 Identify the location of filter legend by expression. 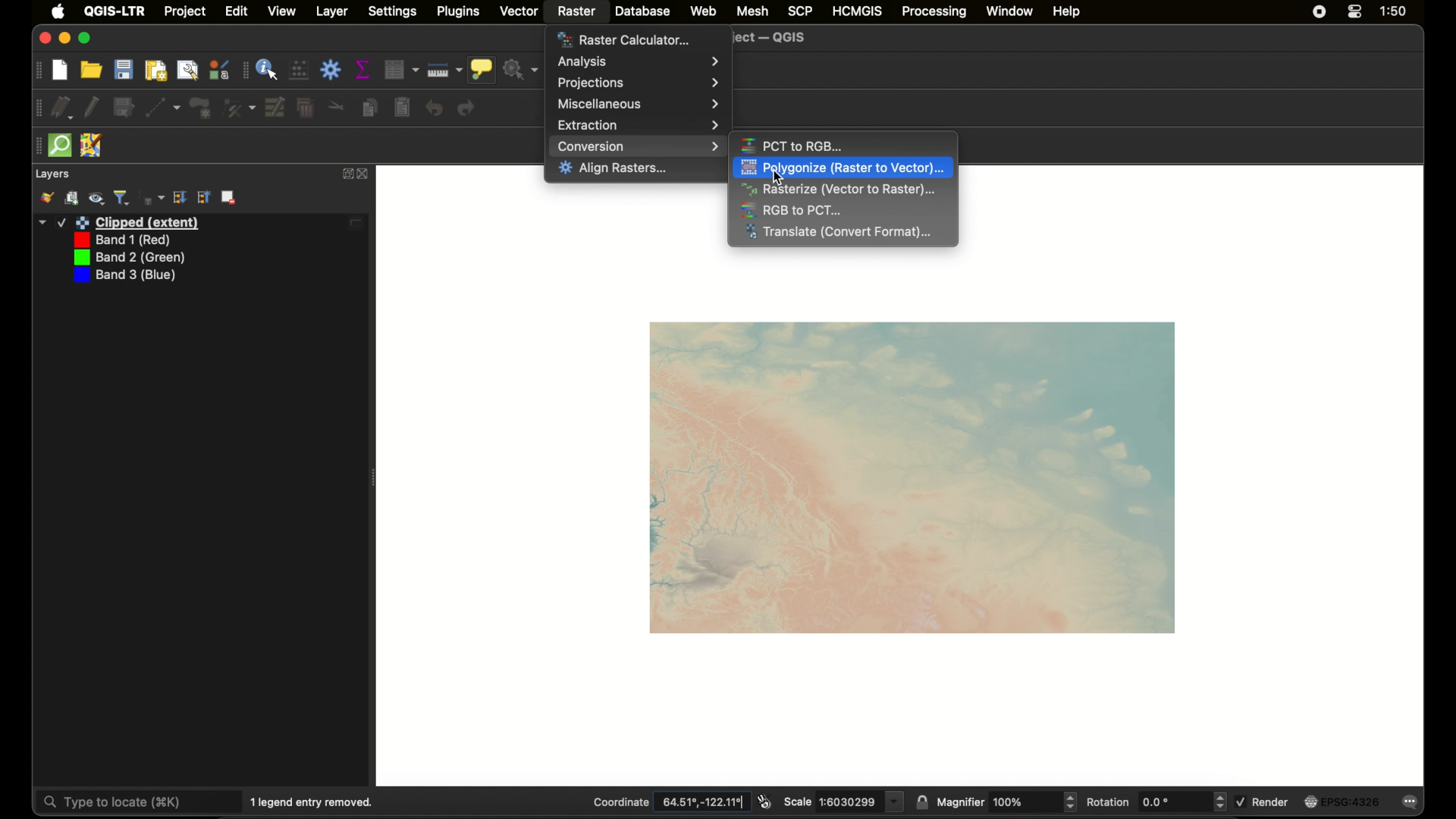
(152, 198).